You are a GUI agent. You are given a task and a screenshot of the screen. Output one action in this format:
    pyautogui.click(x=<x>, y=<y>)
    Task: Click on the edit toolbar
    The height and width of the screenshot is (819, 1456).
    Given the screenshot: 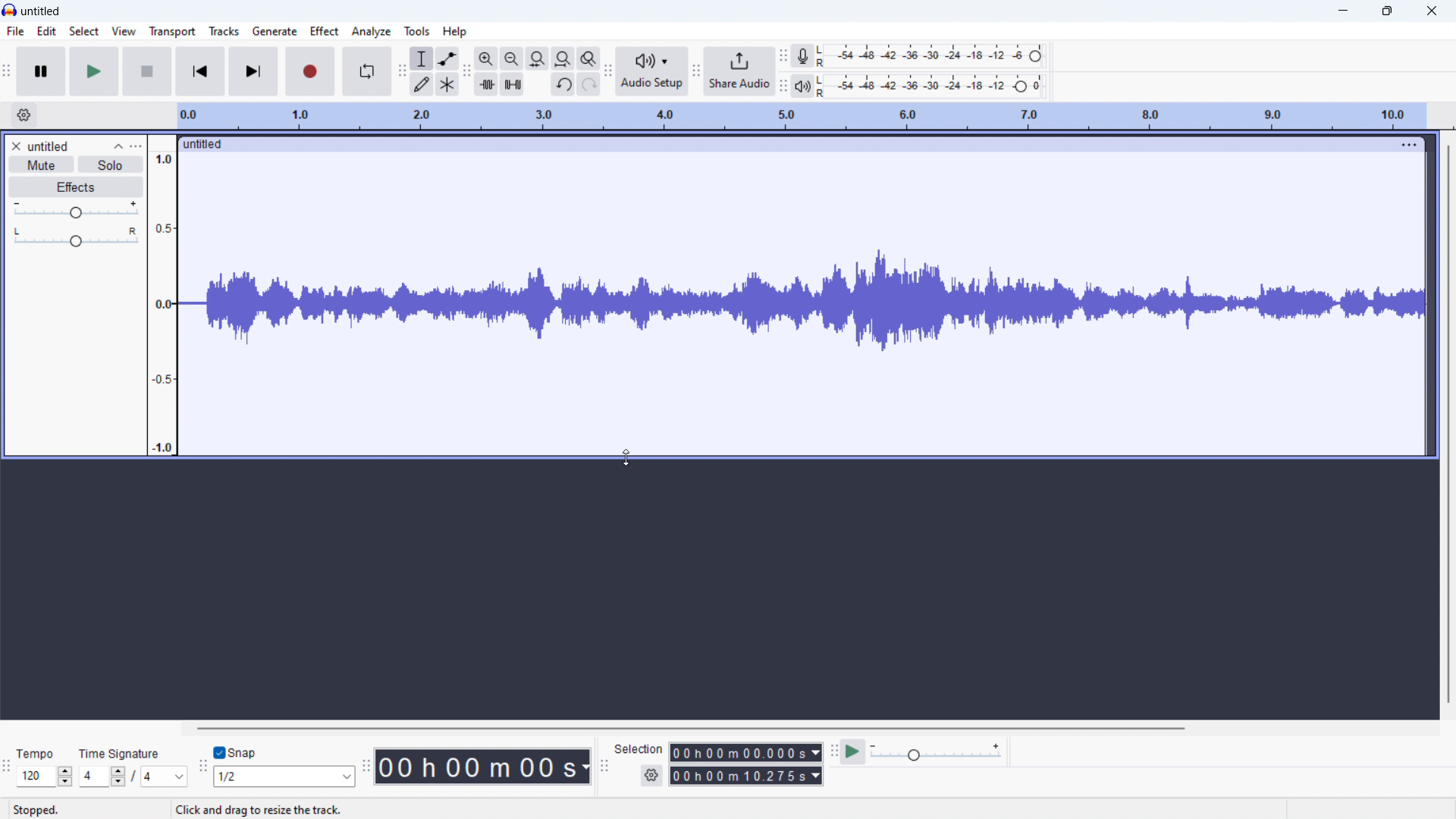 What is the action you would take?
    pyautogui.click(x=467, y=73)
    